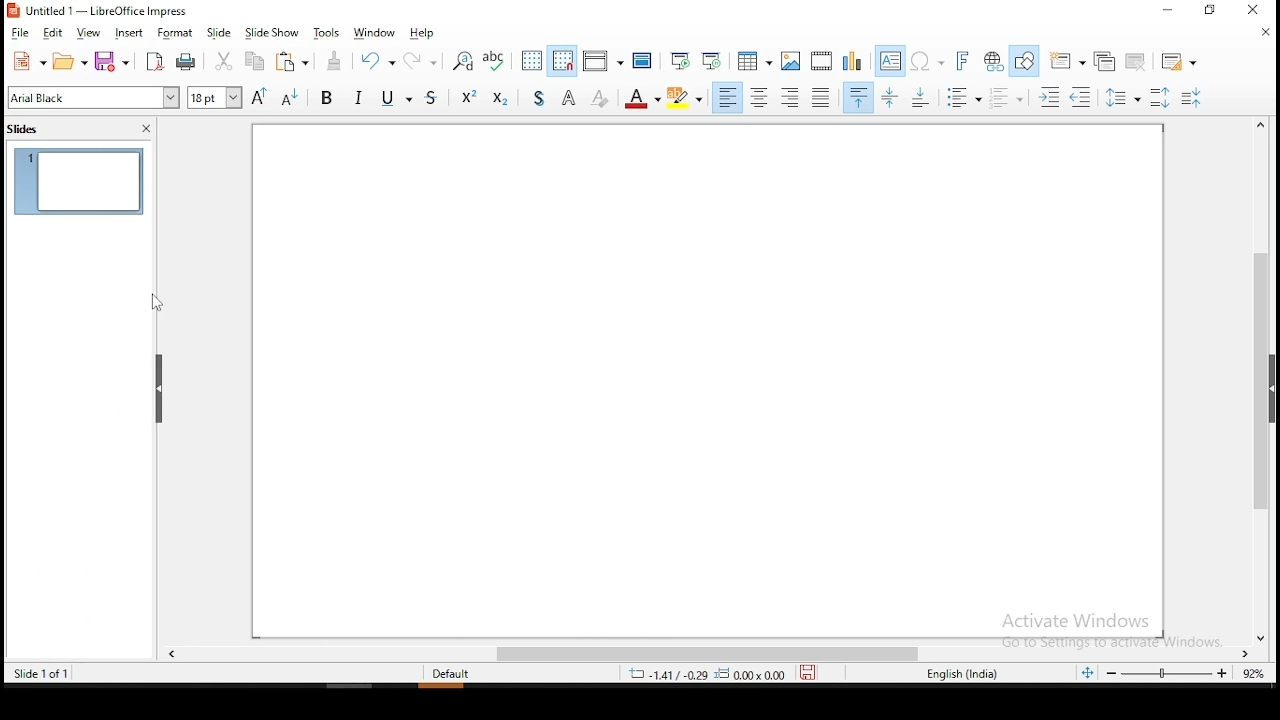 Image resolution: width=1280 pixels, height=720 pixels. Describe the element at coordinates (103, 12) in the screenshot. I see `icon and file name` at that location.